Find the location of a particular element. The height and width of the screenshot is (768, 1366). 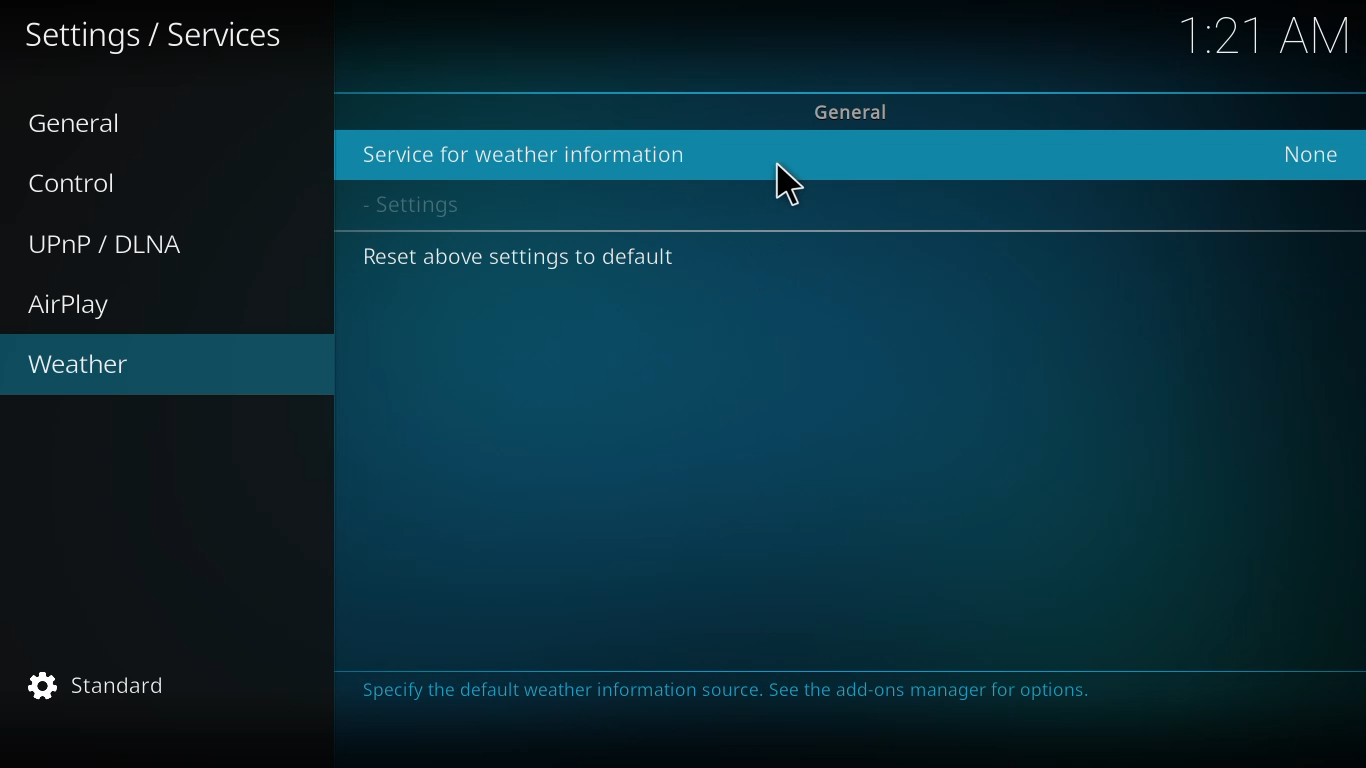

general is located at coordinates (855, 111).